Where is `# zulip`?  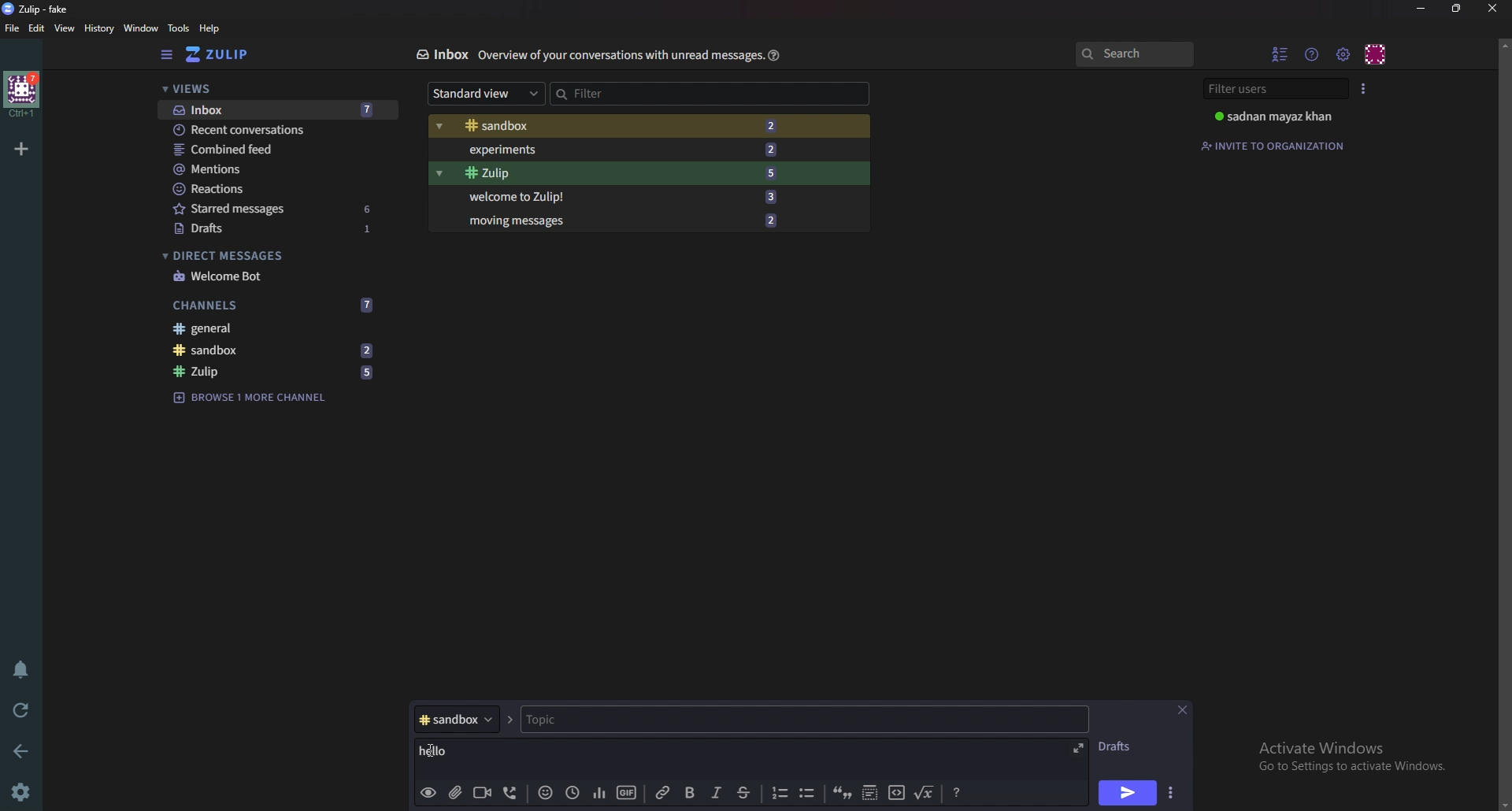 # zulip is located at coordinates (228, 371).